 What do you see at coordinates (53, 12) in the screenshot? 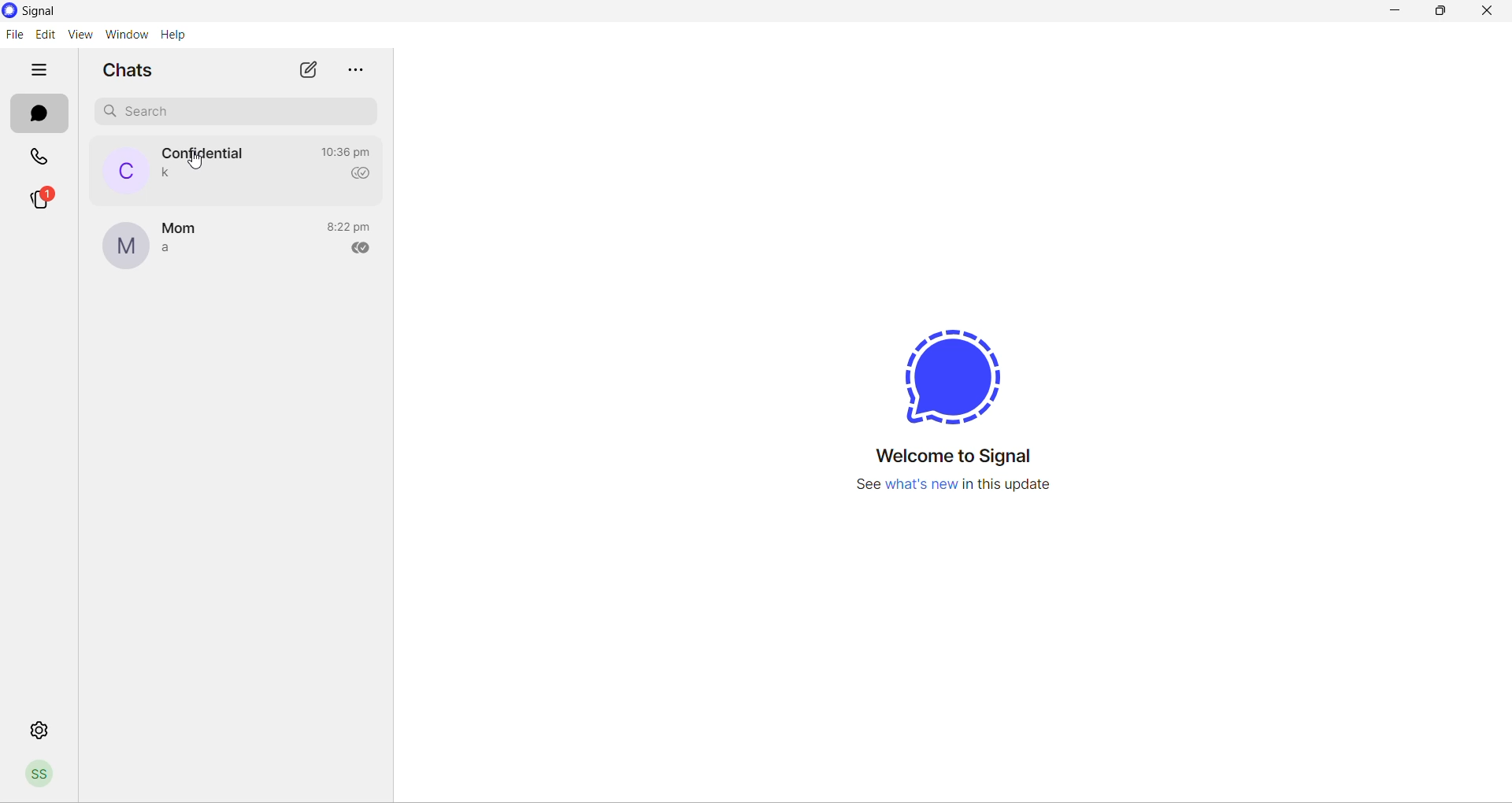
I see `Signal logo` at bounding box center [53, 12].